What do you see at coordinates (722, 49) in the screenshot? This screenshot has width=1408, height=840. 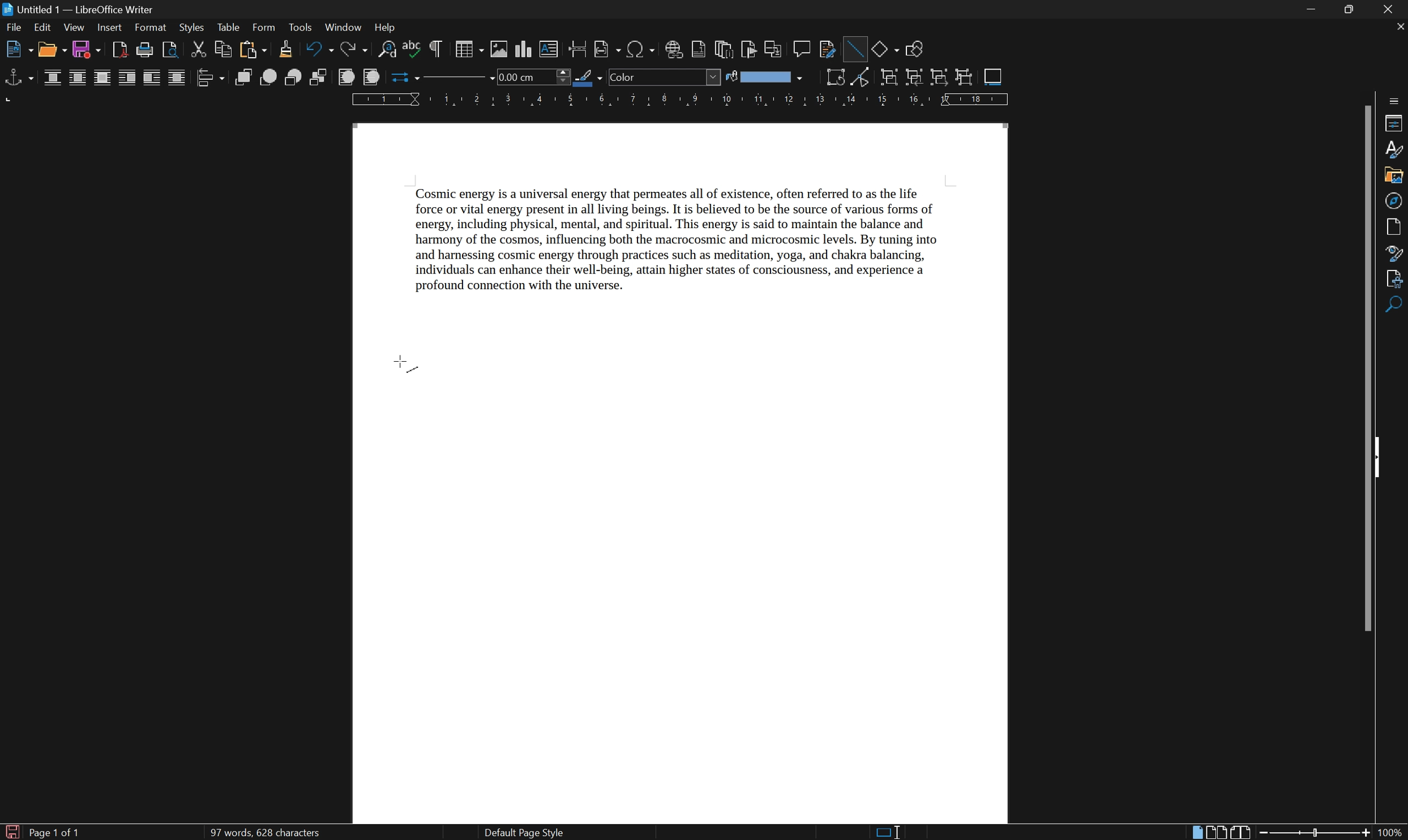 I see `insert endnote` at bounding box center [722, 49].